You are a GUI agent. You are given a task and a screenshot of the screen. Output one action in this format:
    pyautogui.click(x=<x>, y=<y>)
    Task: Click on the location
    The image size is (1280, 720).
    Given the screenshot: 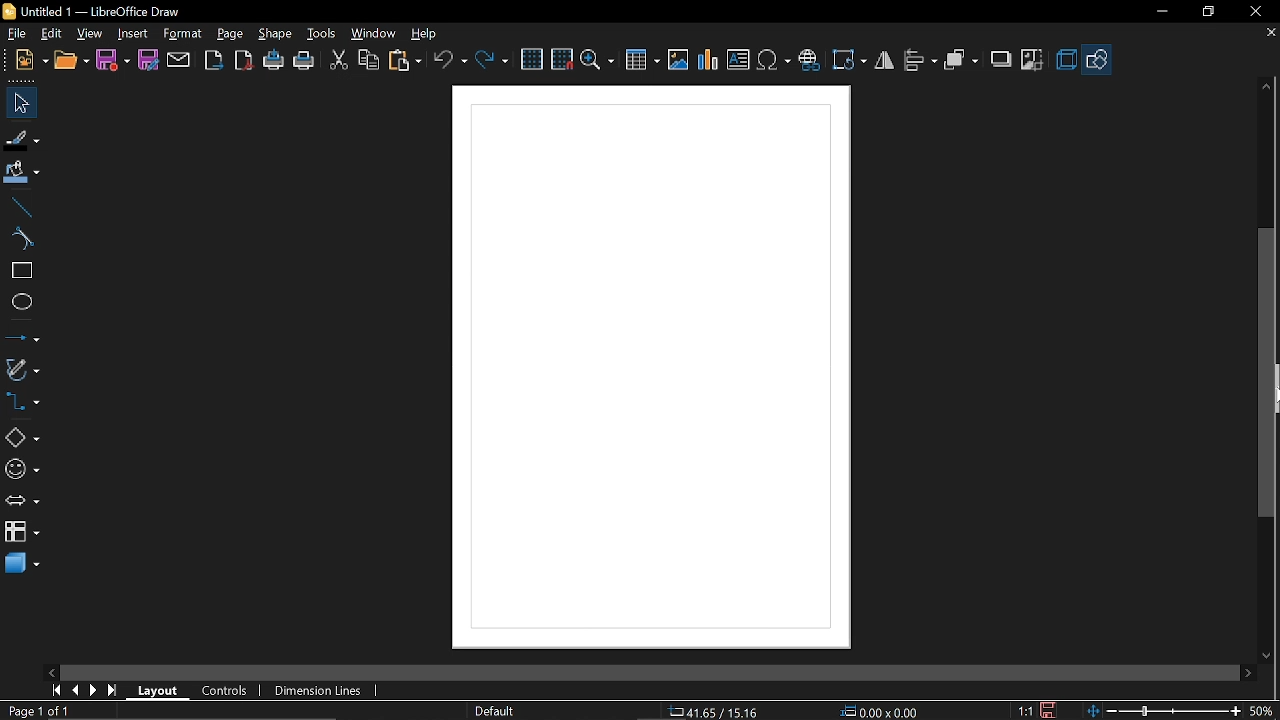 What is the action you would take?
    pyautogui.click(x=882, y=712)
    